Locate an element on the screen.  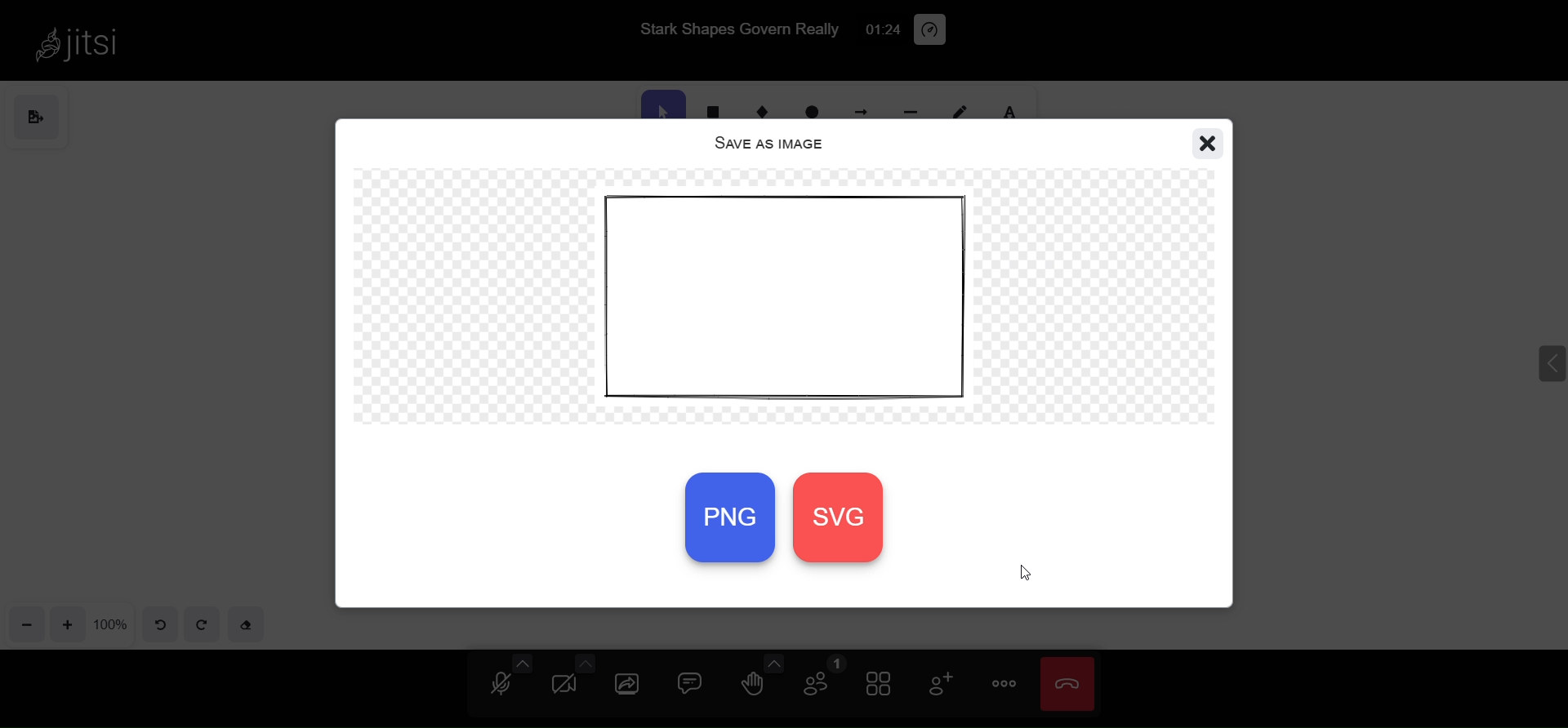
chat is located at coordinates (692, 683).